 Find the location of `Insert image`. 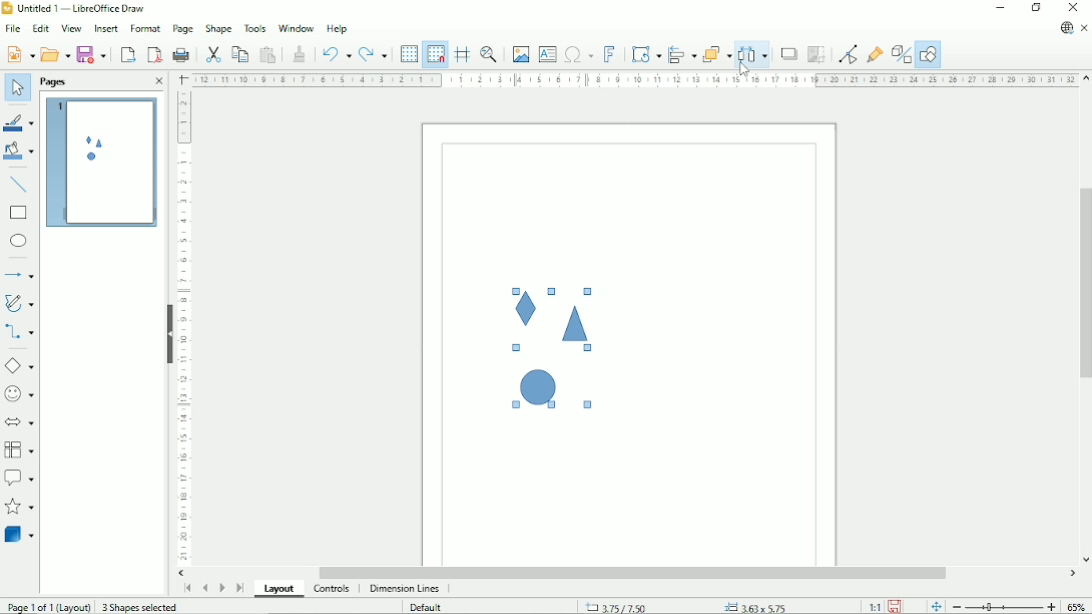

Insert image is located at coordinates (521, 55).